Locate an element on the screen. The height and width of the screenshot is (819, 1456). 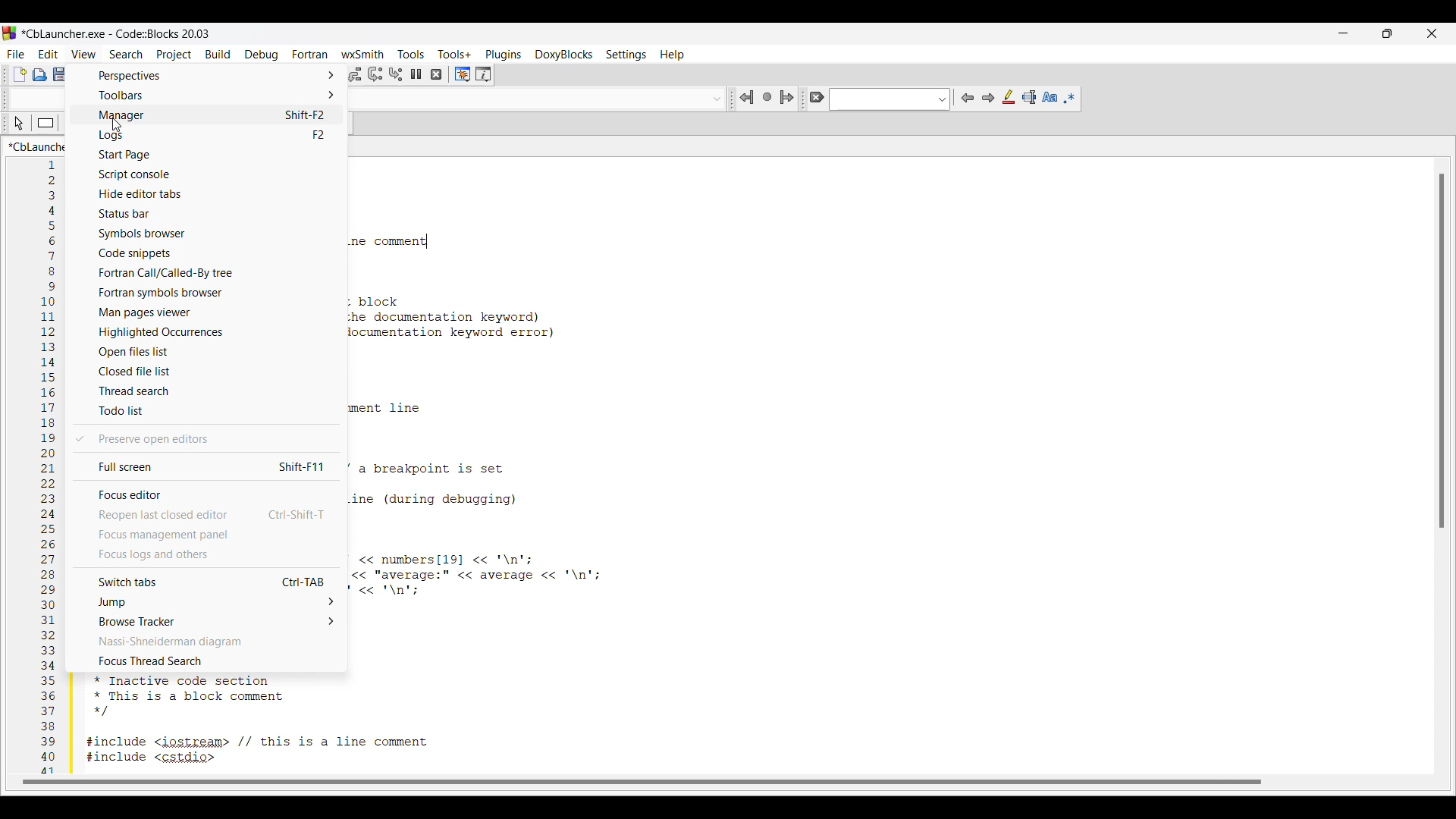
Nassi-Shneideman diagram is located at coordinates (208, 642).